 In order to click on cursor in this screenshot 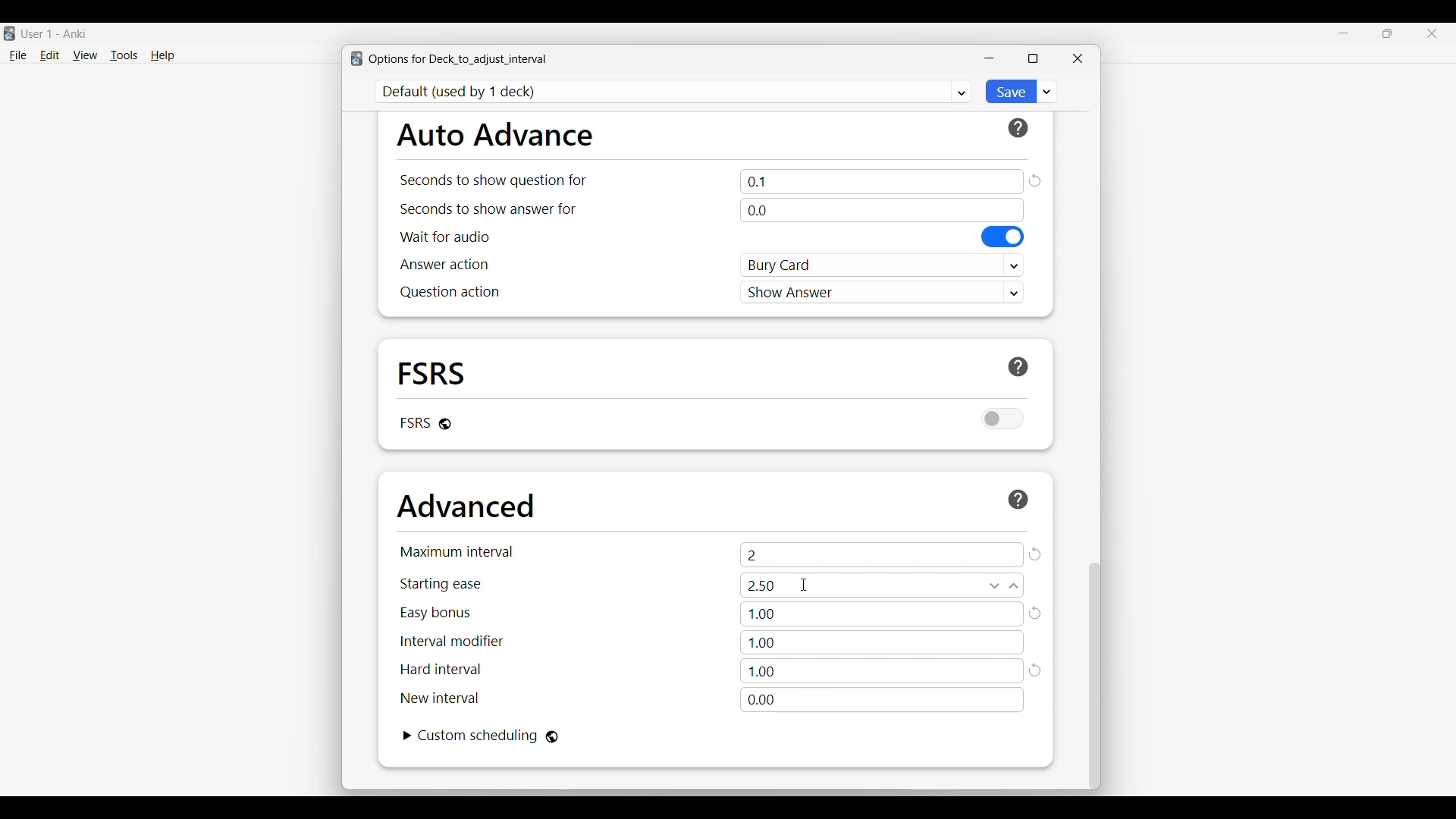, I will do `click(805, 585)`.